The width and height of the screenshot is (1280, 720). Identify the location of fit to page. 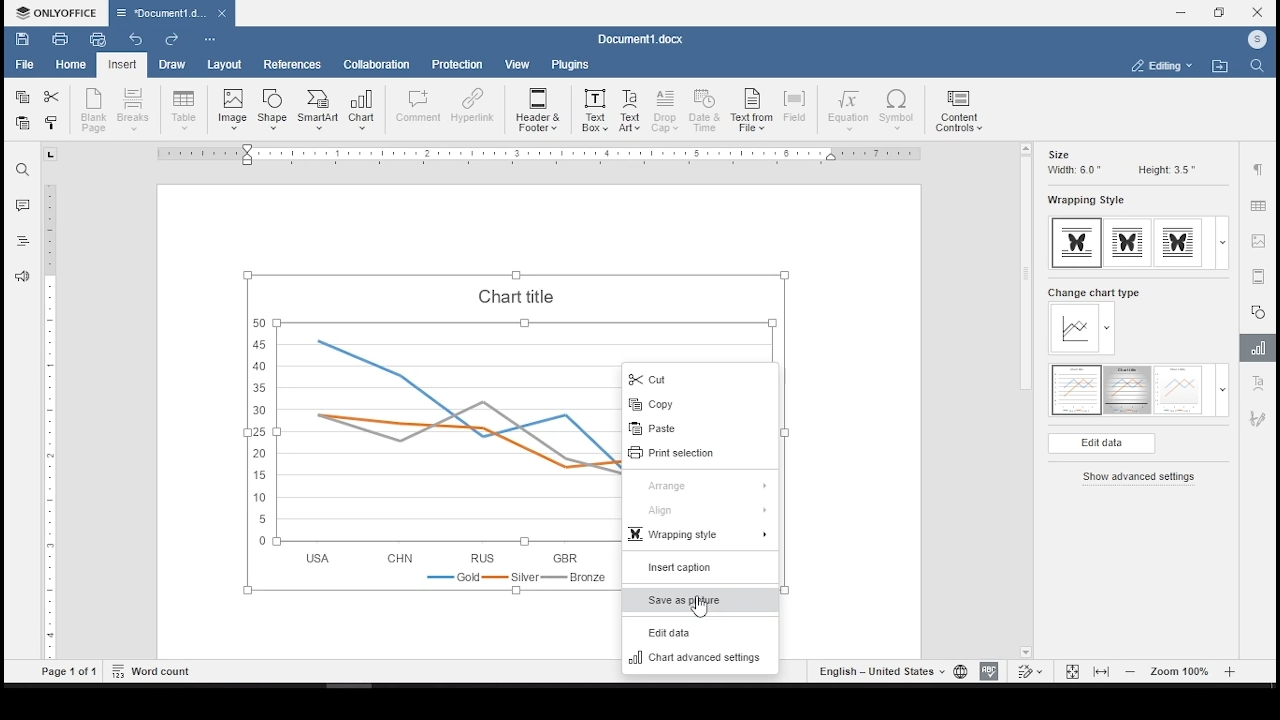
(1072, 671).